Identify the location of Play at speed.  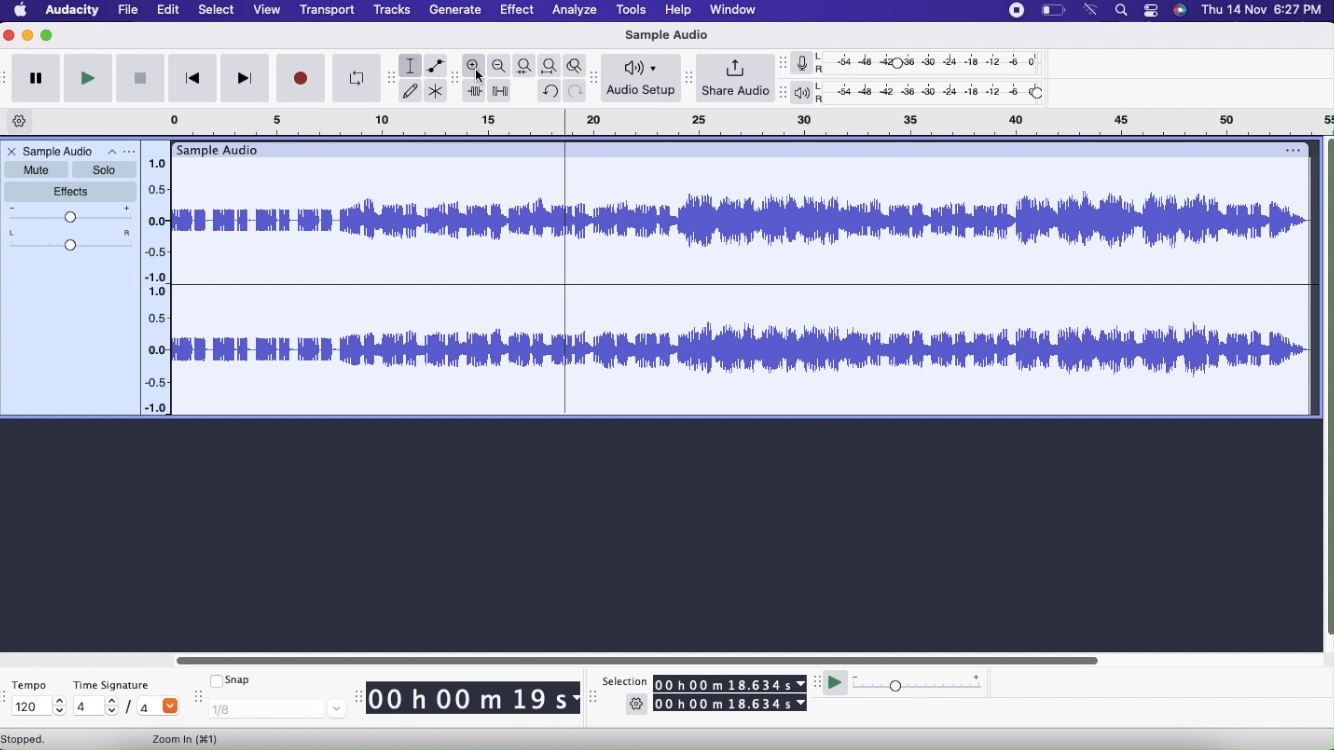
(834, 682).